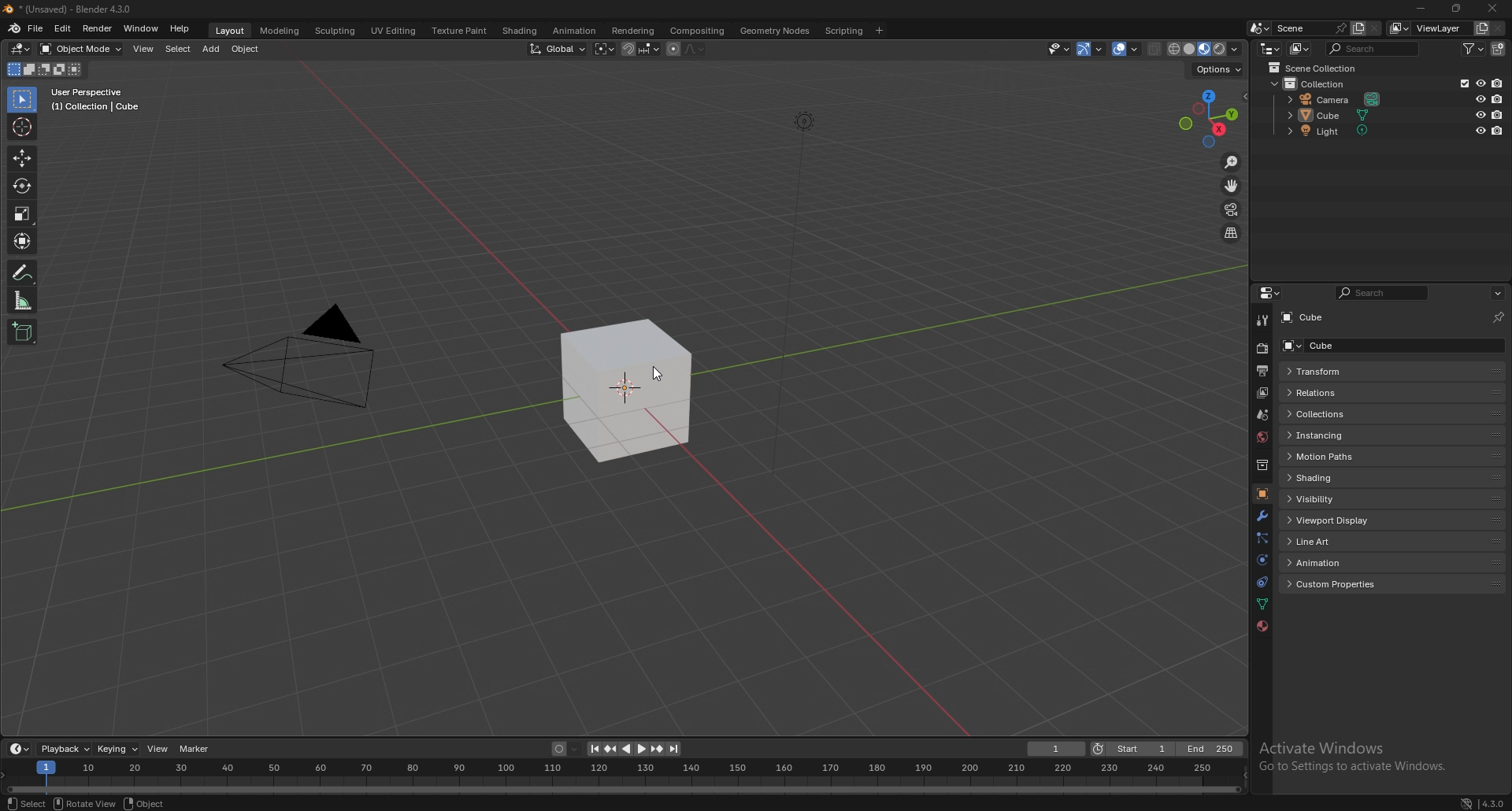 Image resolution: width=1512 pixels, height=811 pixels. What do you see at coordinates (1230, 162) in the screenshot?
I see `zoom` at bounding box center [1230, 162].